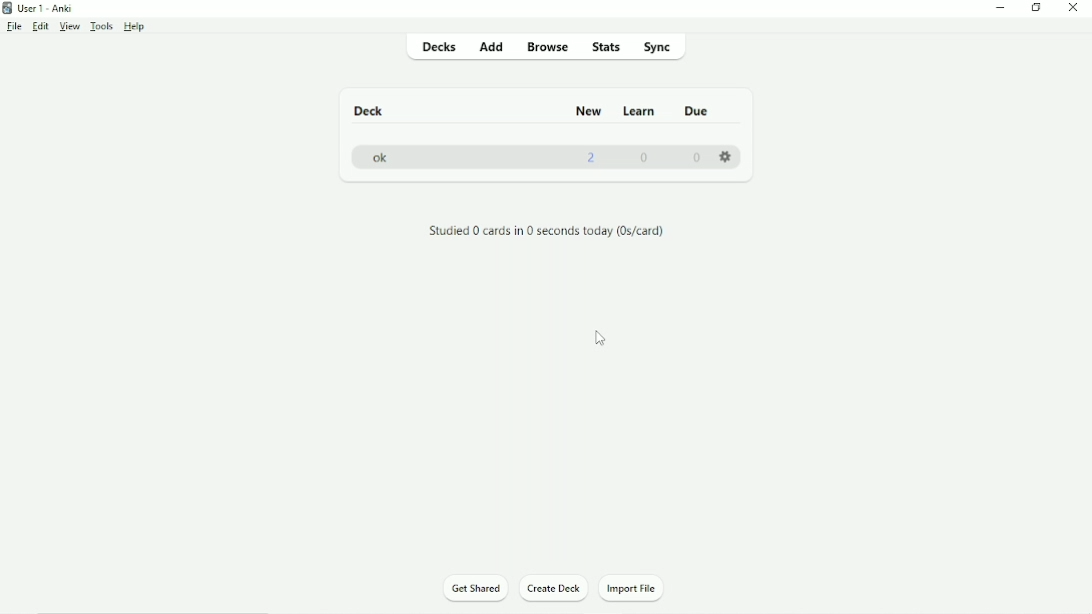  What do you see at coordinates (14, 26) in the screenshot?
I see `File` at bounding box center [14, 26].